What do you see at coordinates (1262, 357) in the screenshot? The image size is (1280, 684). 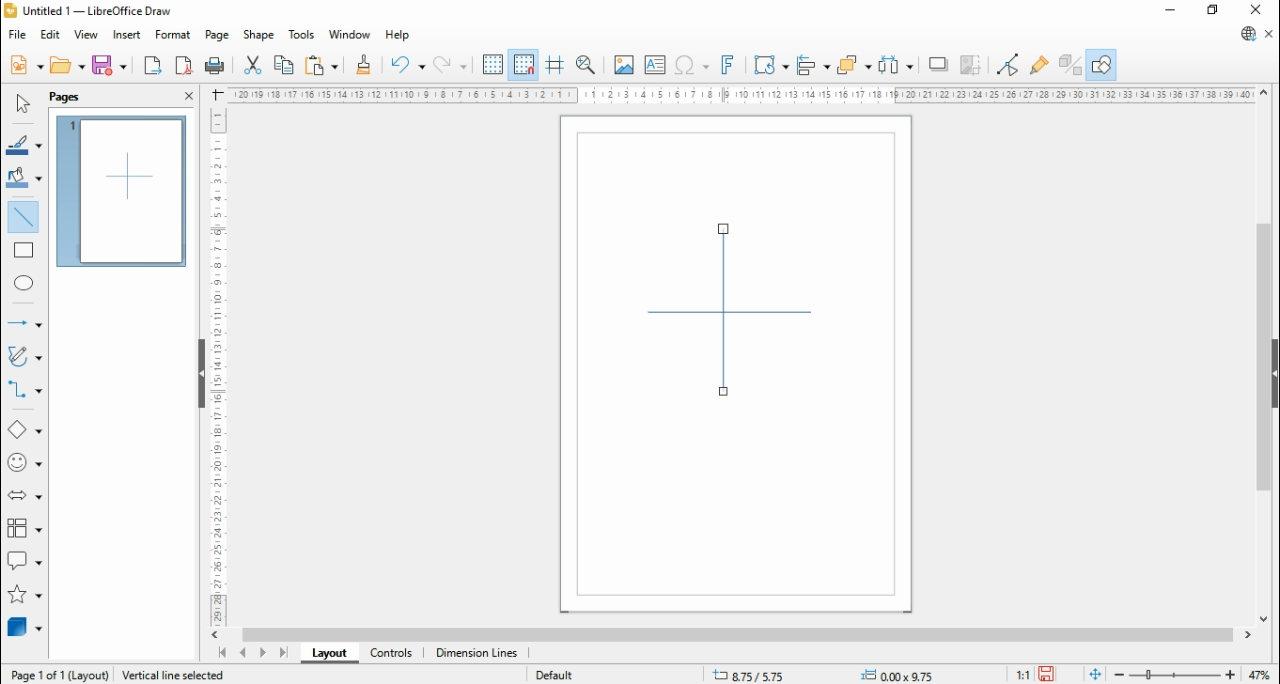 I see `scroll bar` at bounding box center [1262, 357].